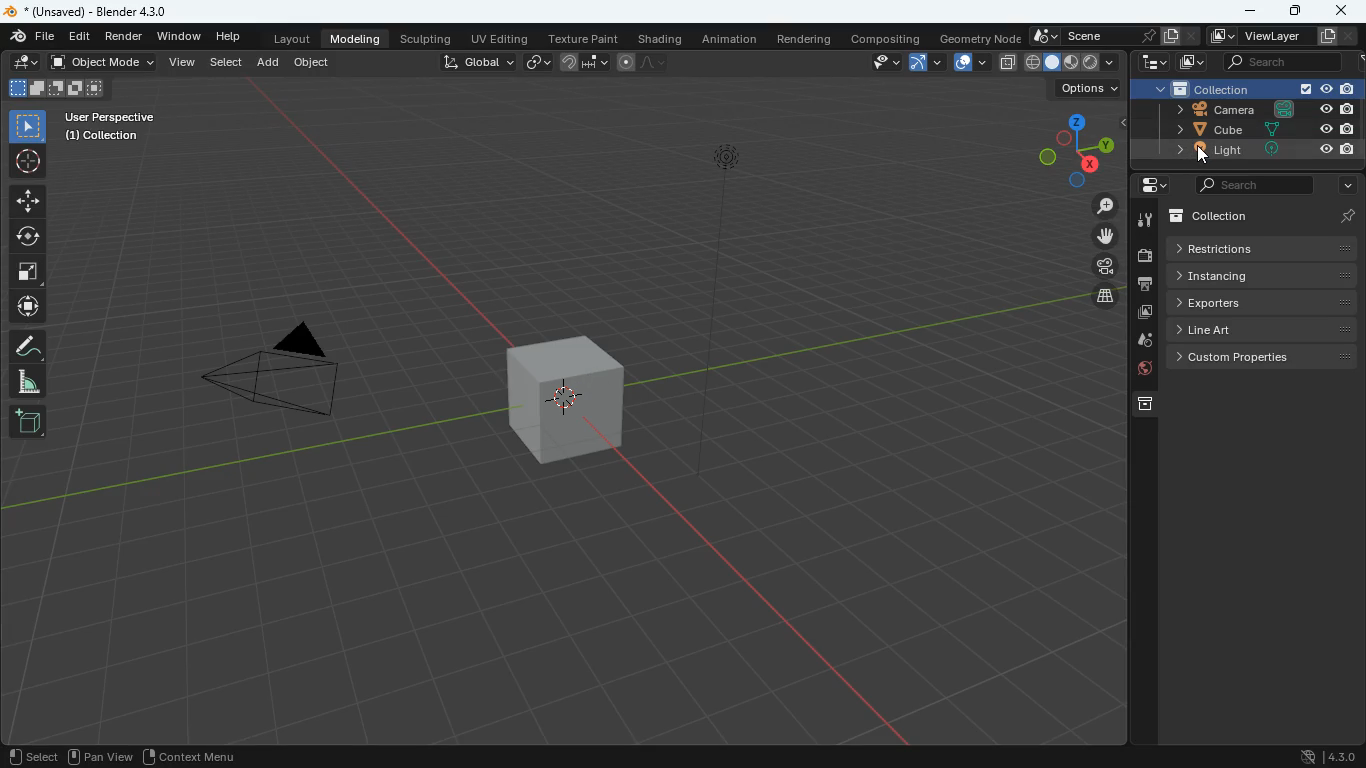 The height and width of the screenshot is (768, 1366). I want to click on aim, so click(26, 309).